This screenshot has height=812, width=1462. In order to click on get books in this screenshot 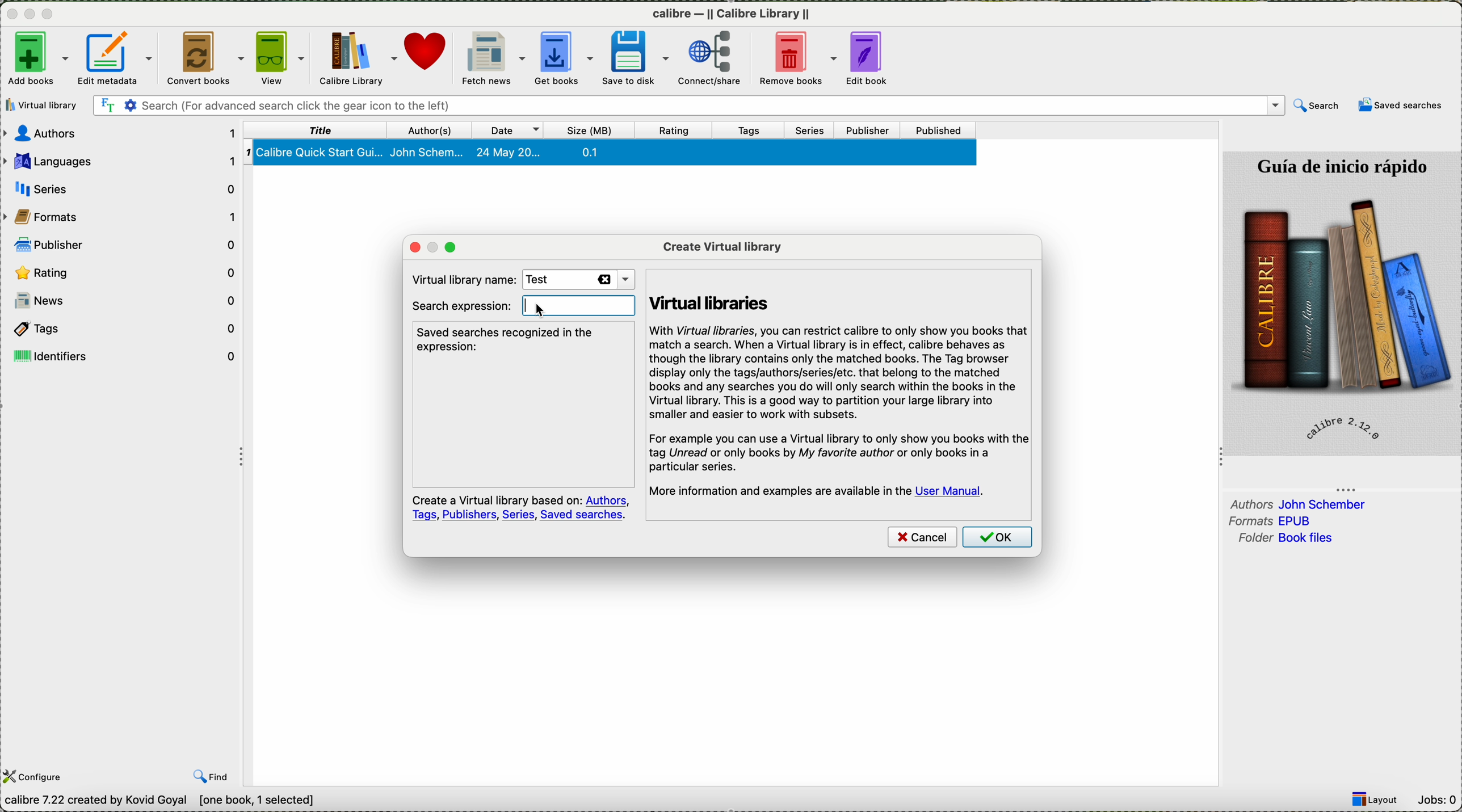, I will do `click(565, 58)`.